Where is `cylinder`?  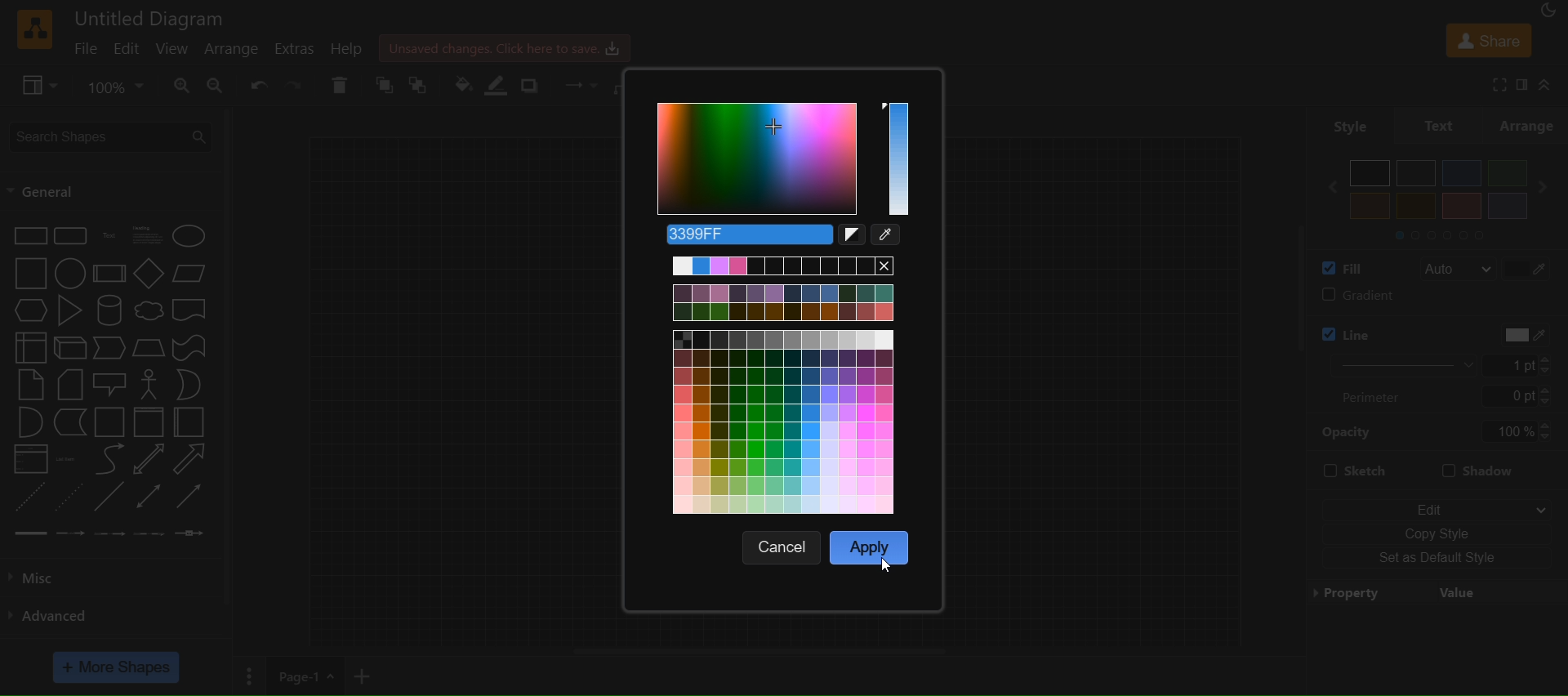
cylinder is located at coordinates (112, 310).